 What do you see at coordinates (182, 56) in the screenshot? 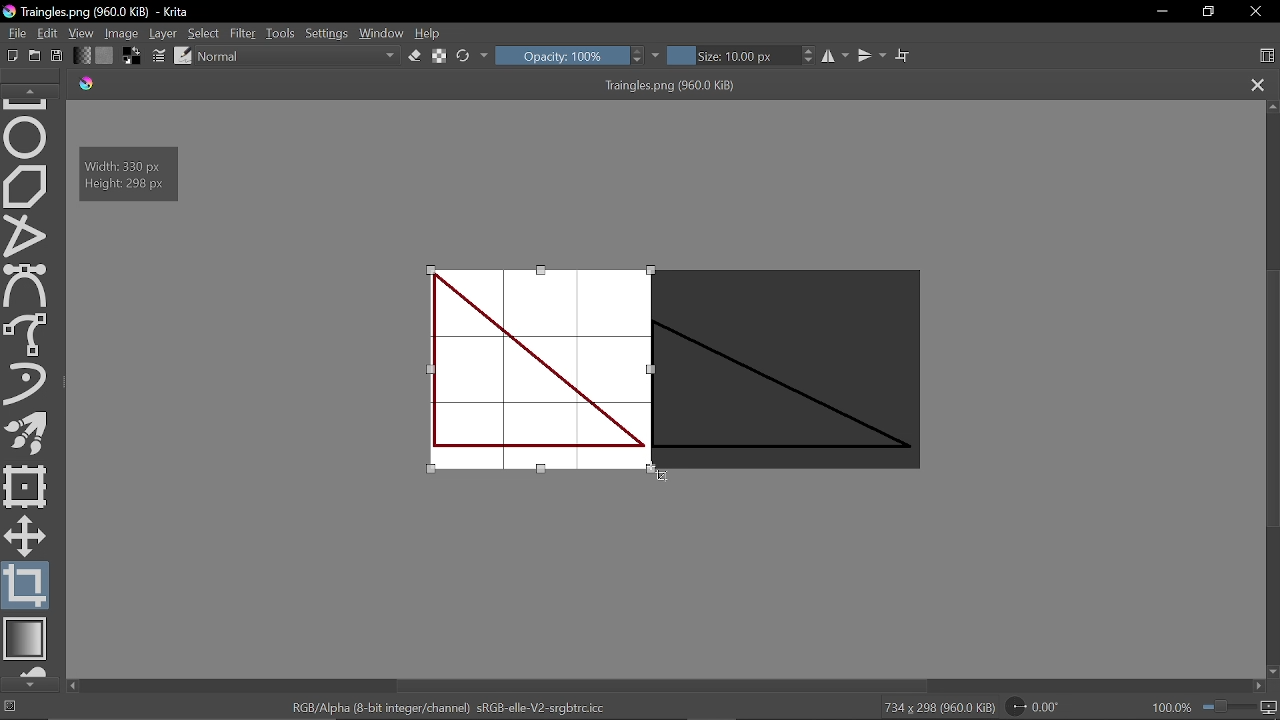
I see `Choose brush preset` at bounding box center [182, 56].